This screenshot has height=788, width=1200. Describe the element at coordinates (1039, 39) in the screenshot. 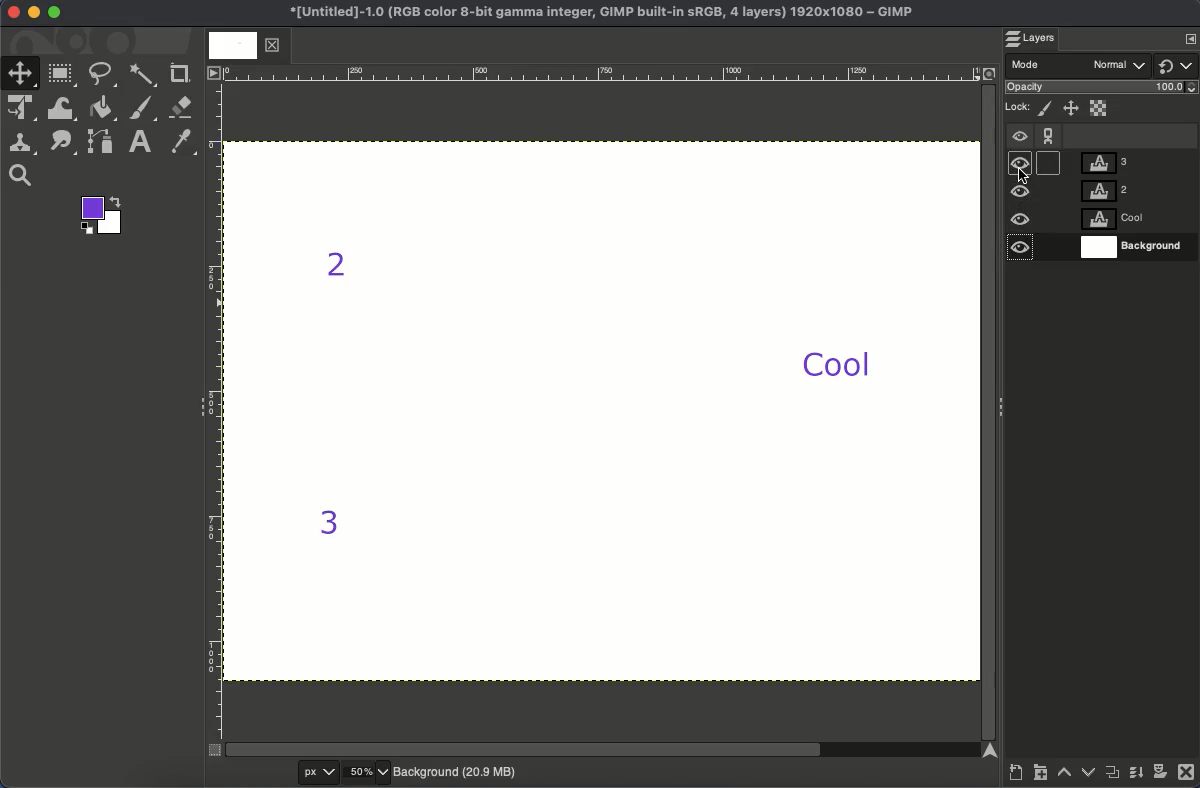

I see `Layers` at that location.